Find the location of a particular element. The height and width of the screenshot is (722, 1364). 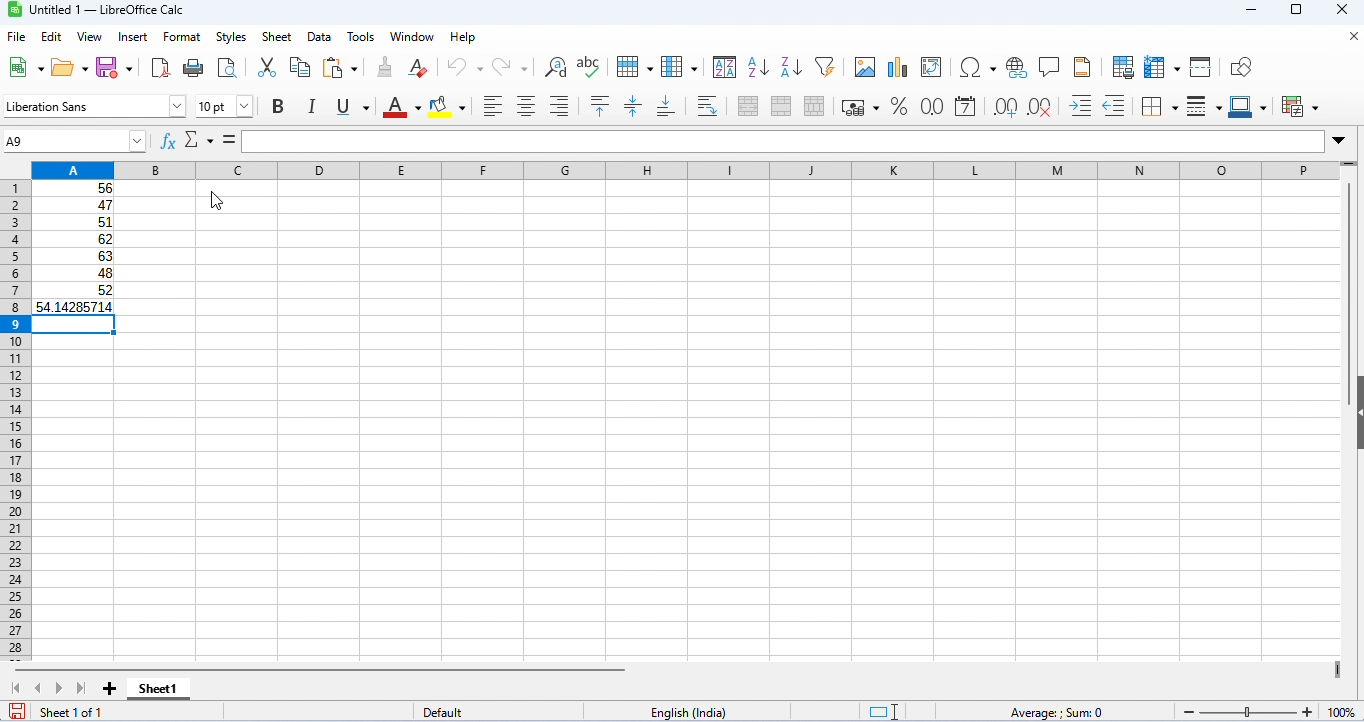

minimize is located at coordinates (1257, 12).